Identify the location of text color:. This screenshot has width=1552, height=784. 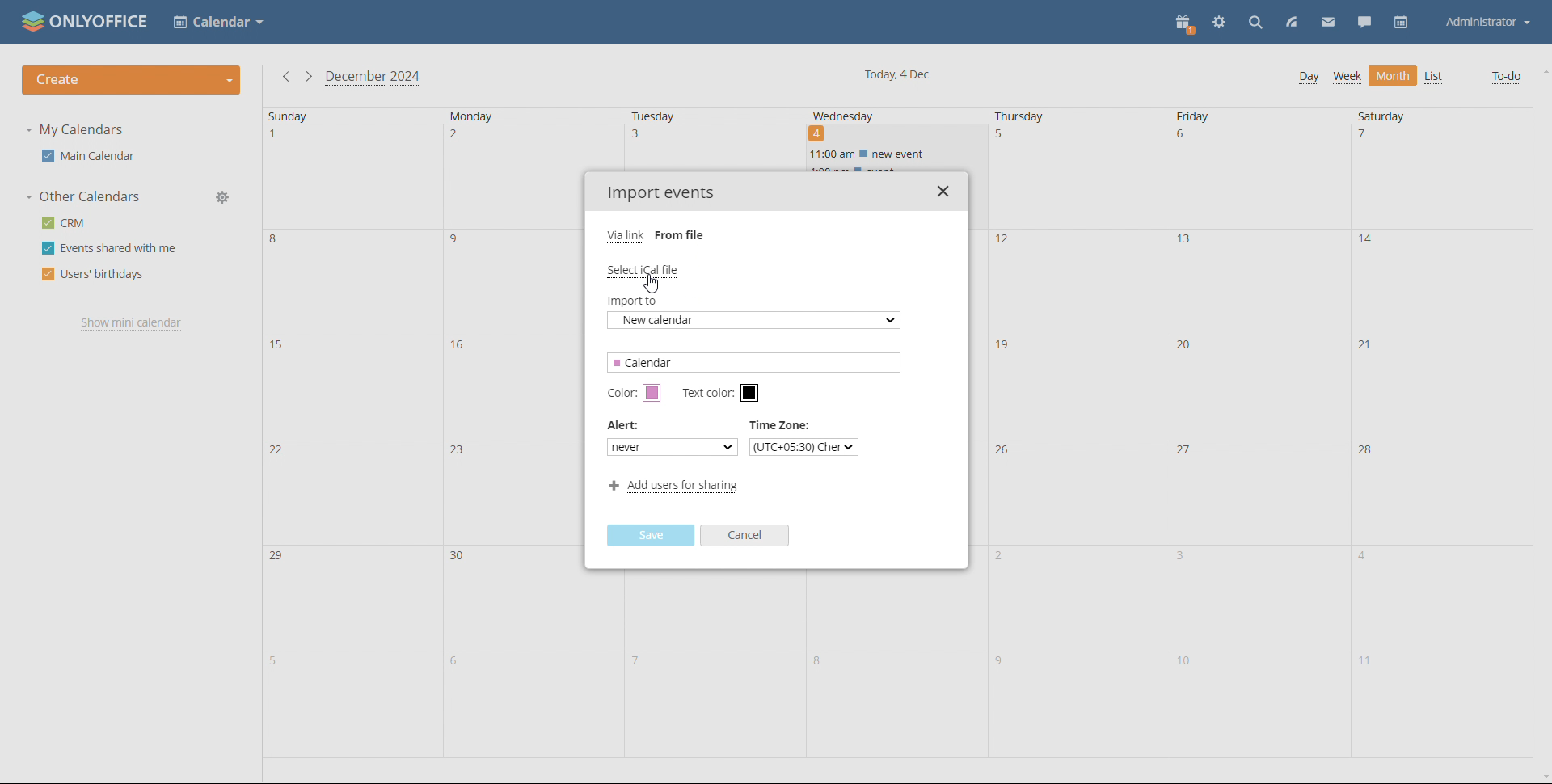
(711, 393).